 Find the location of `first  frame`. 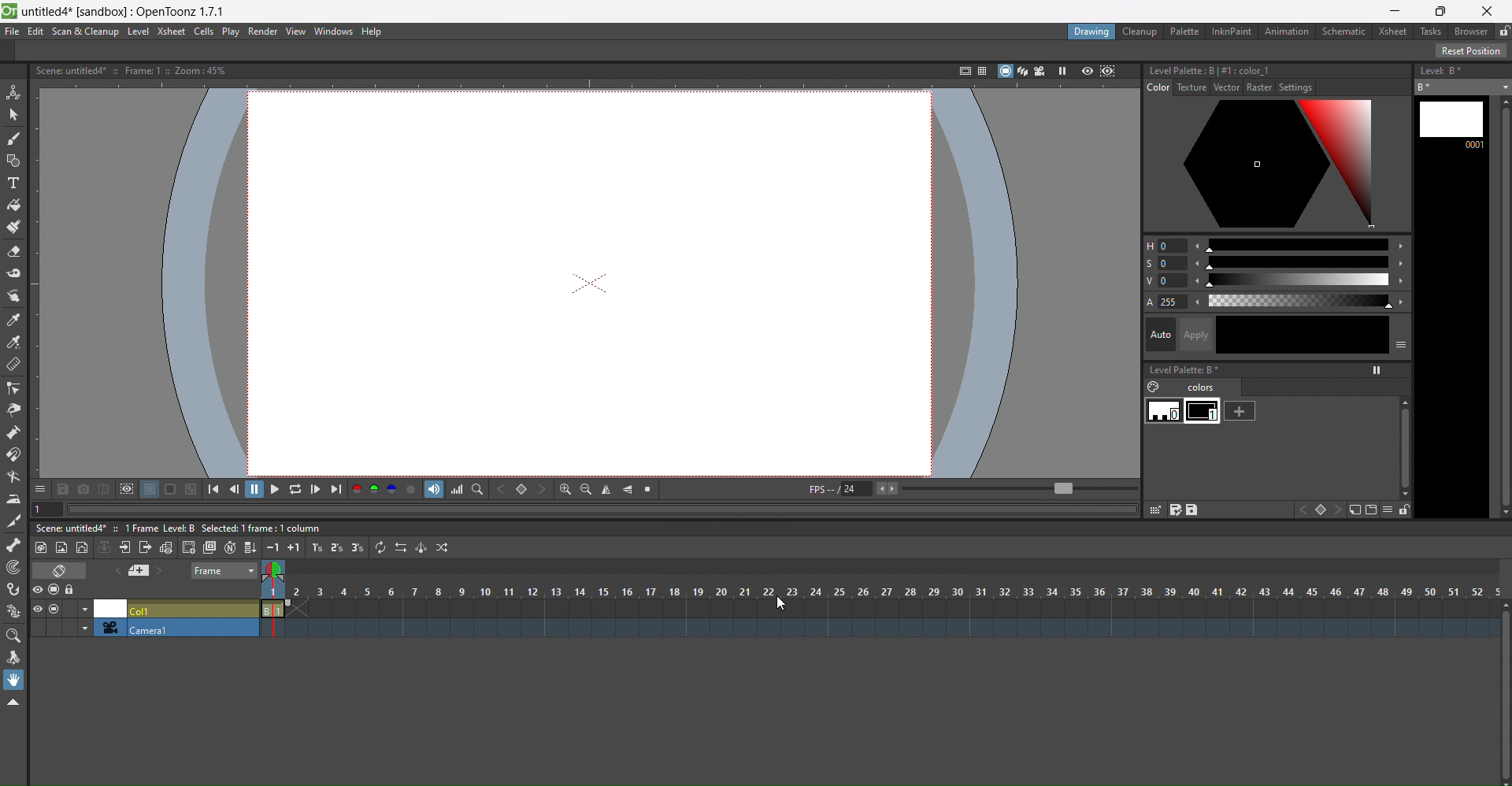

first  frame is located at coordinates (218, 488).